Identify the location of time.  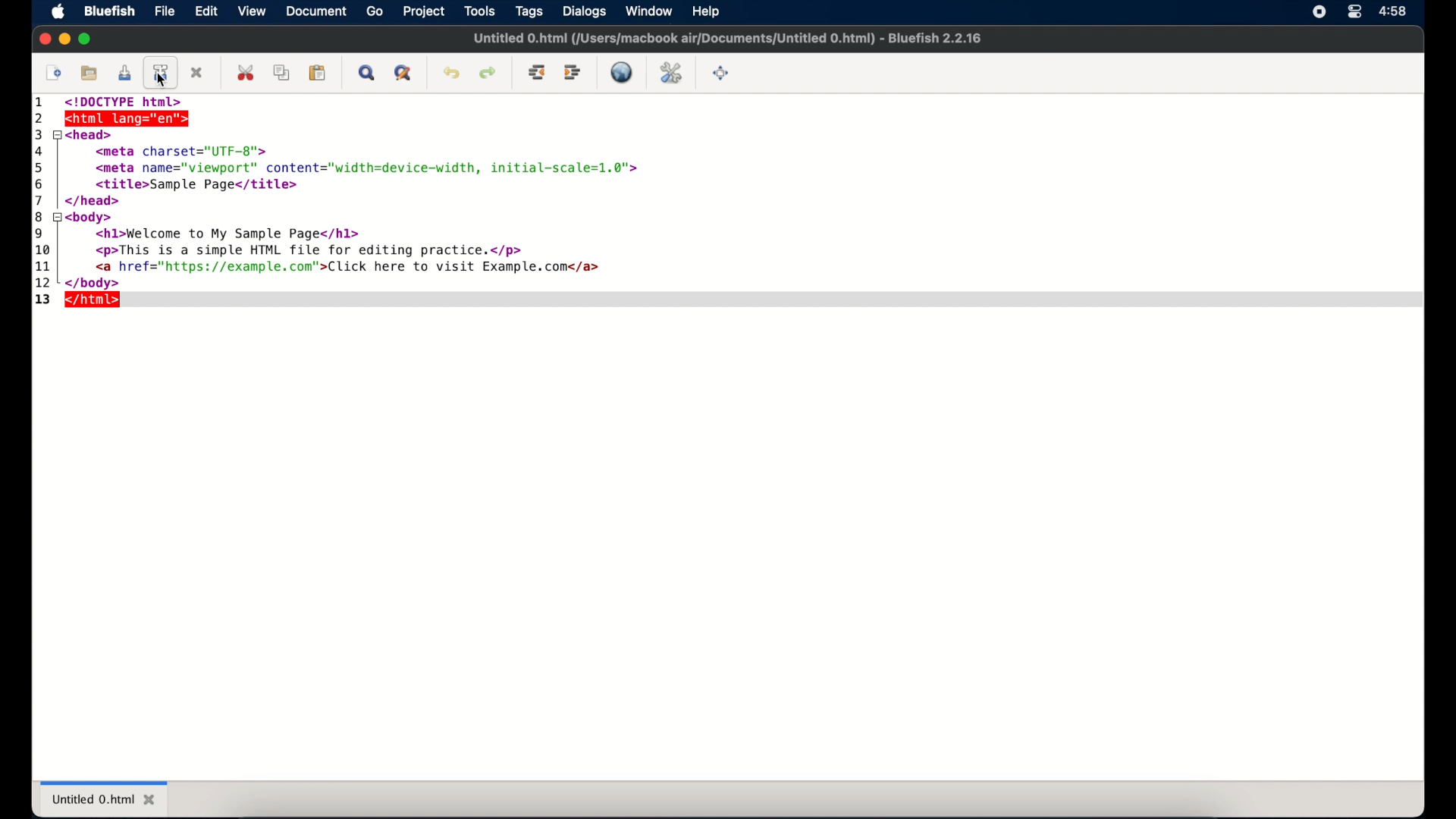
(1394, 11).